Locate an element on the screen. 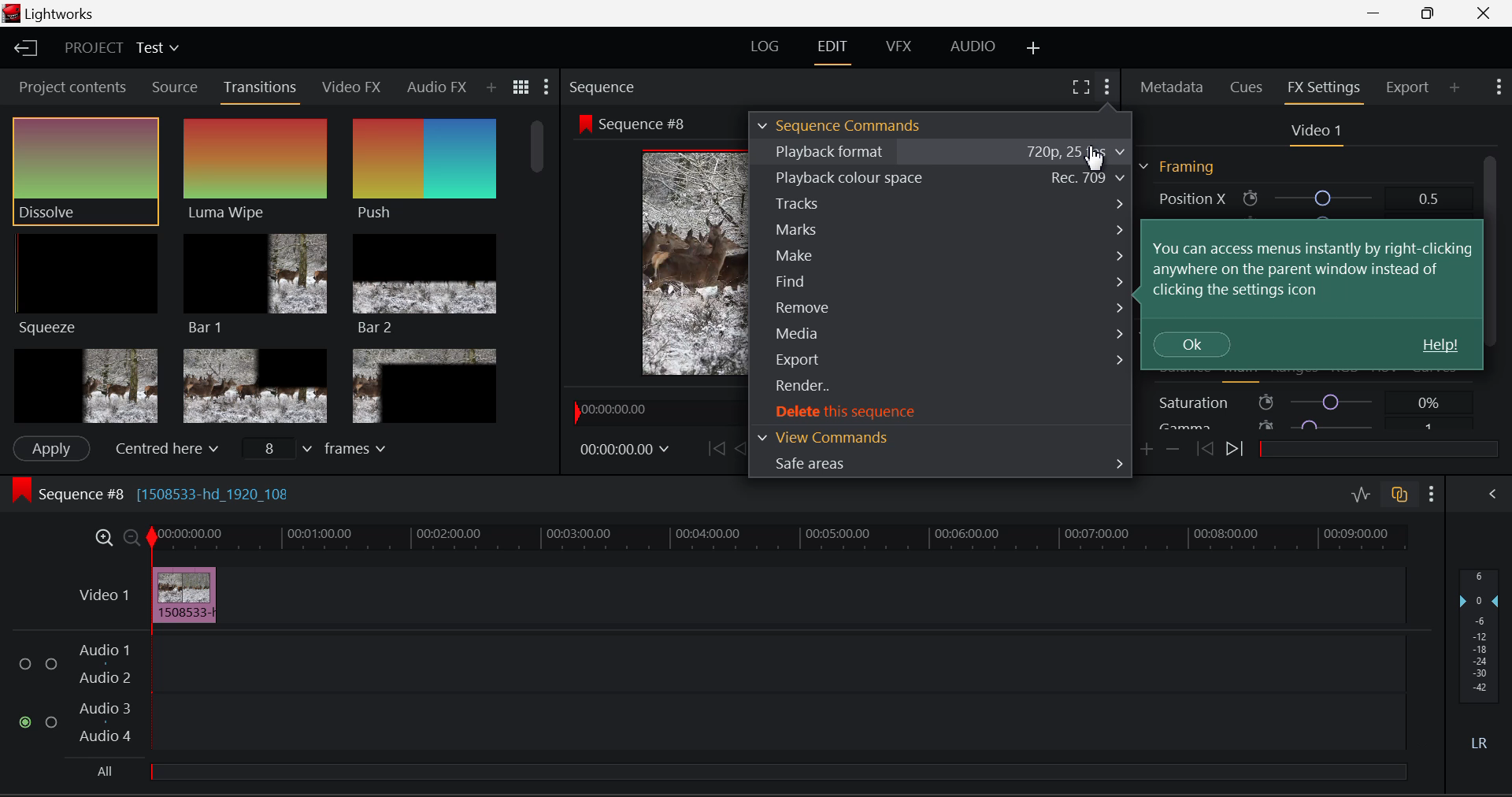 The image size is (1512, 797). AUDIO Layout is located at coordinates (973, 47).